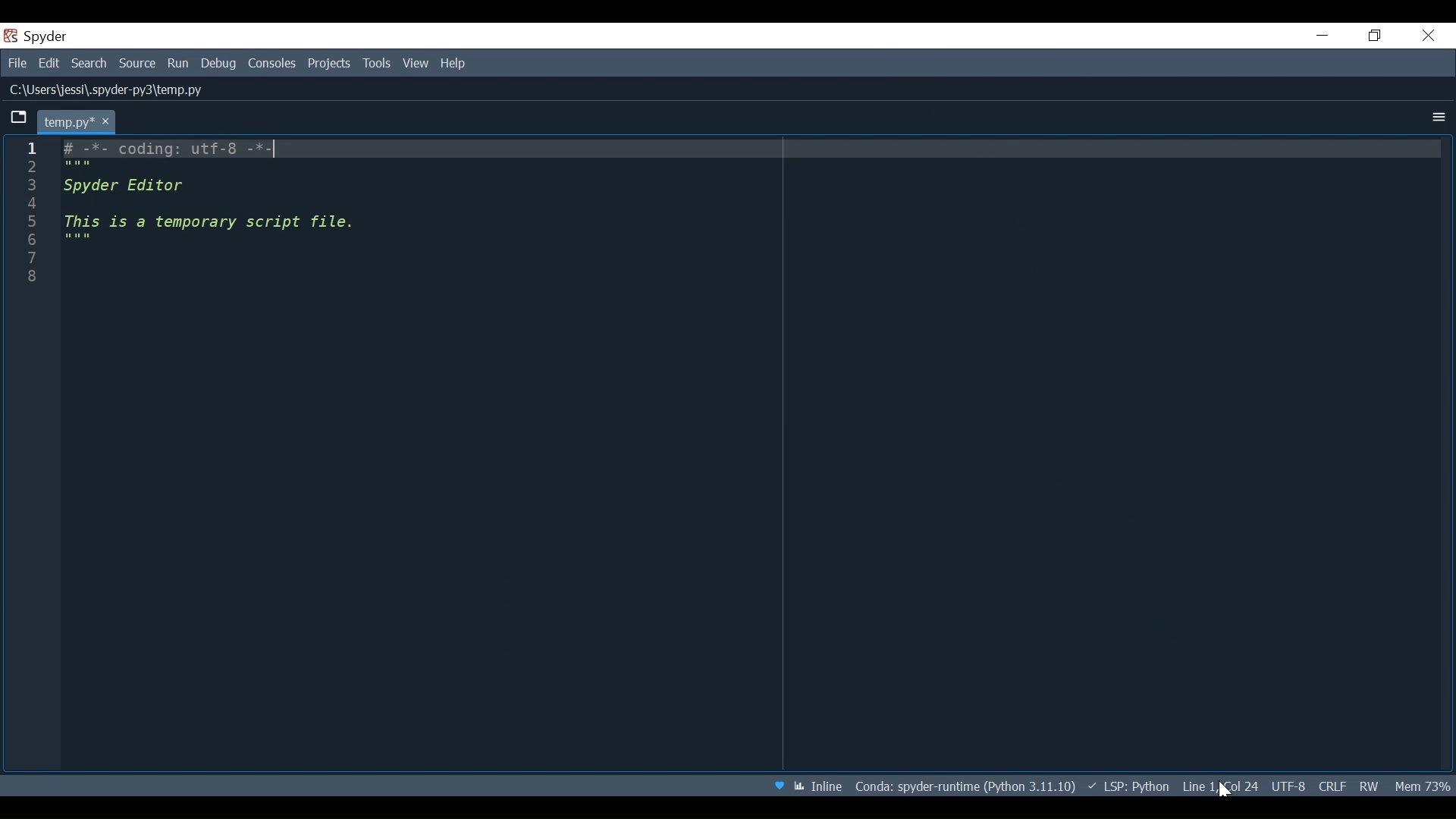 The width and height of the screenshot is (1456, 819). I want to click on Memory Usage, so click(1420, 785).